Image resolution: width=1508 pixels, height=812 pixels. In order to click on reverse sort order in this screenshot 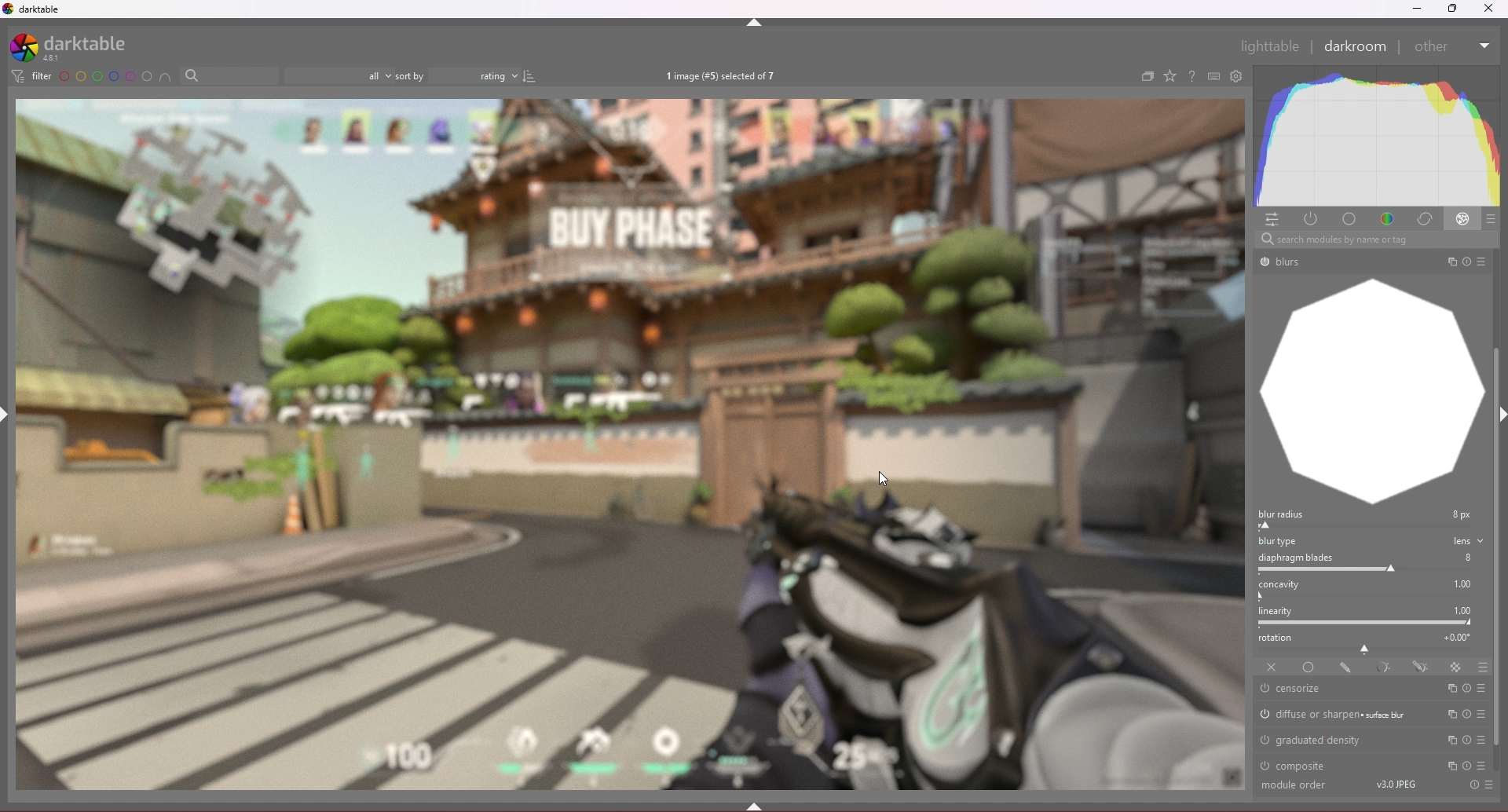, I will do `click(530, 75)`.